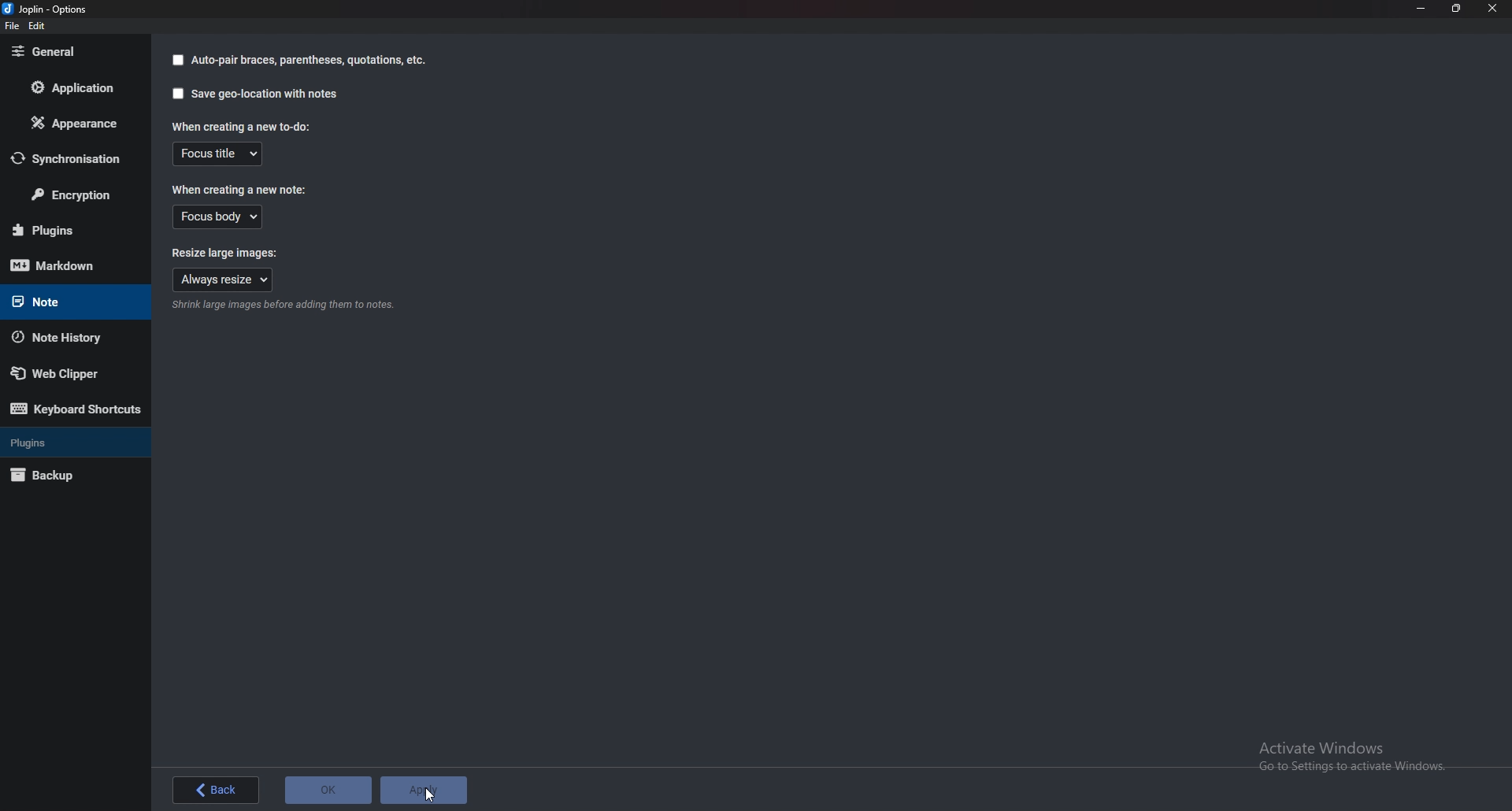 This screenshot has height=811, width=1512. What do you see at coordinates (218, 154) in the screenshot?
I see `Focus title` at bounding box center [218, 154].